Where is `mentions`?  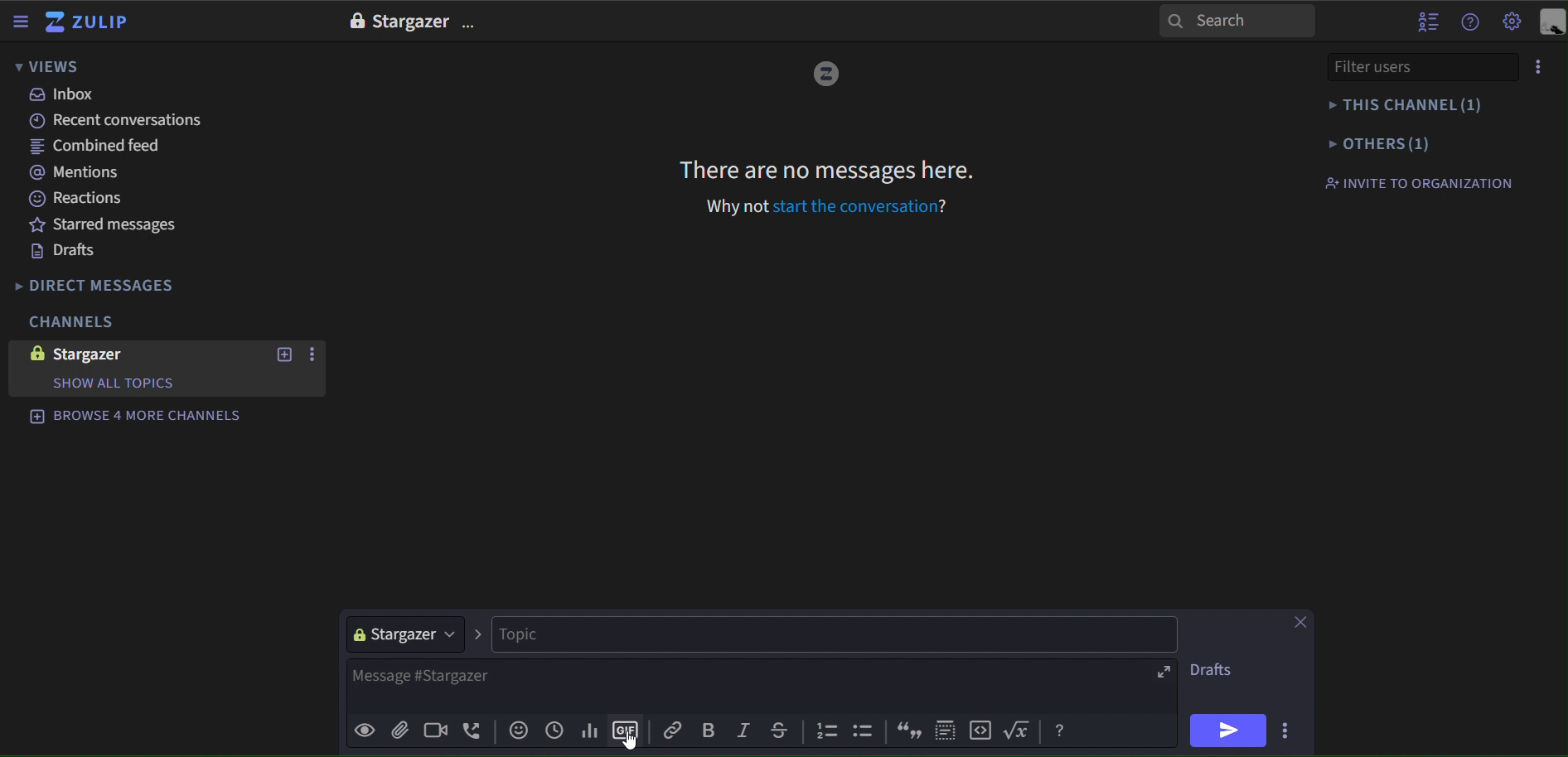 mentions is located at coordinates (82, 174).